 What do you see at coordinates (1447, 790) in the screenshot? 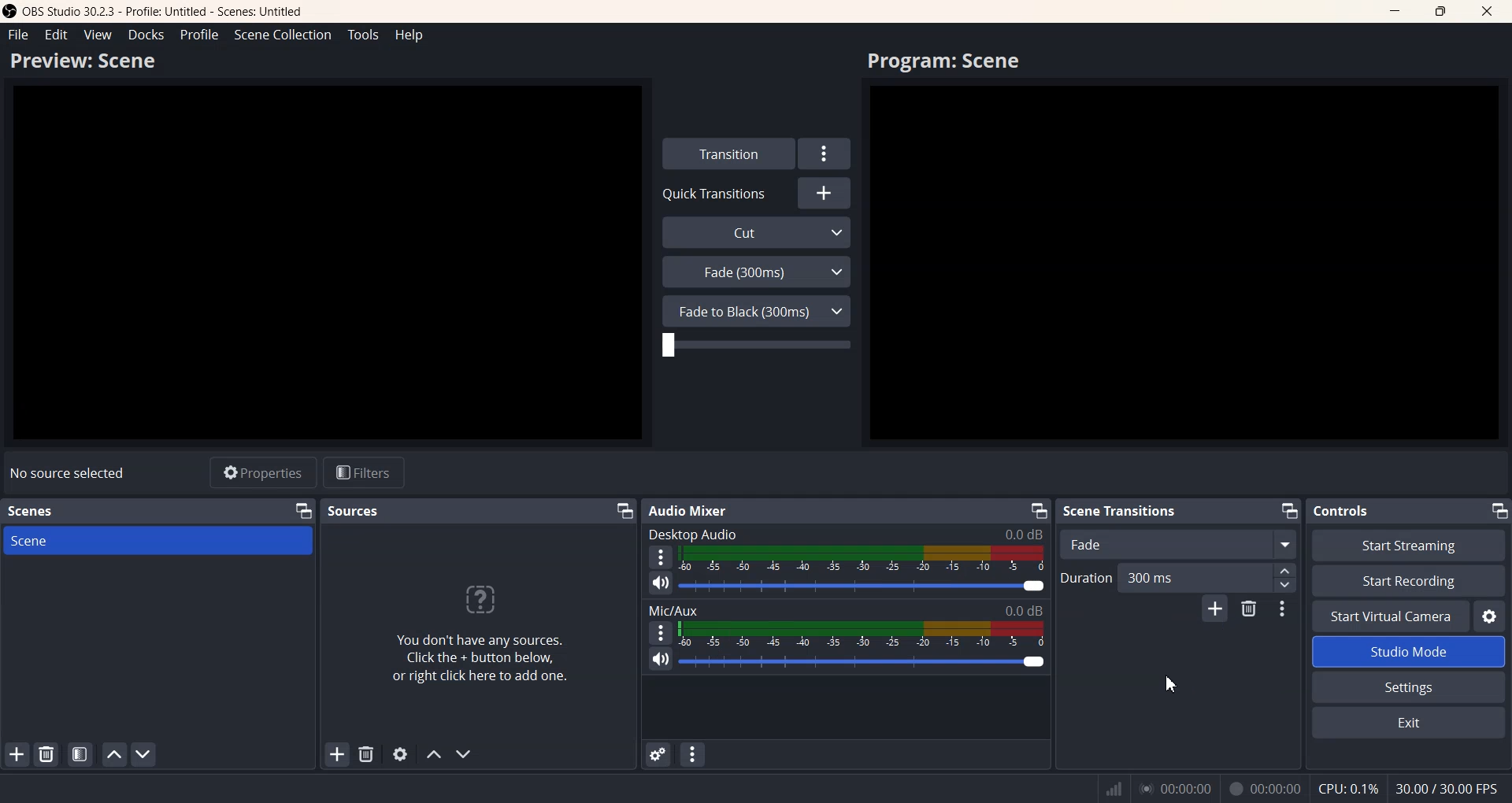
I see `30` at bounding box center [1447, 790].